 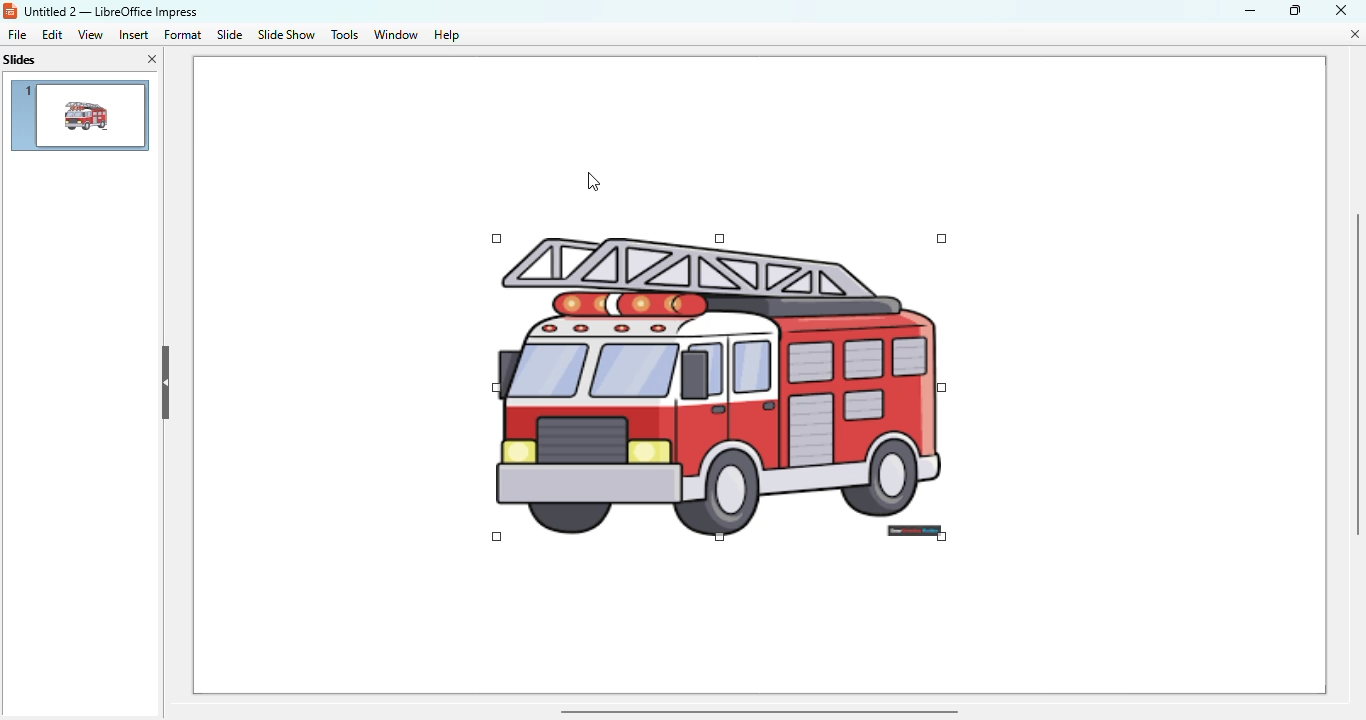 I want to click on slides, so click(x=20, y=60).